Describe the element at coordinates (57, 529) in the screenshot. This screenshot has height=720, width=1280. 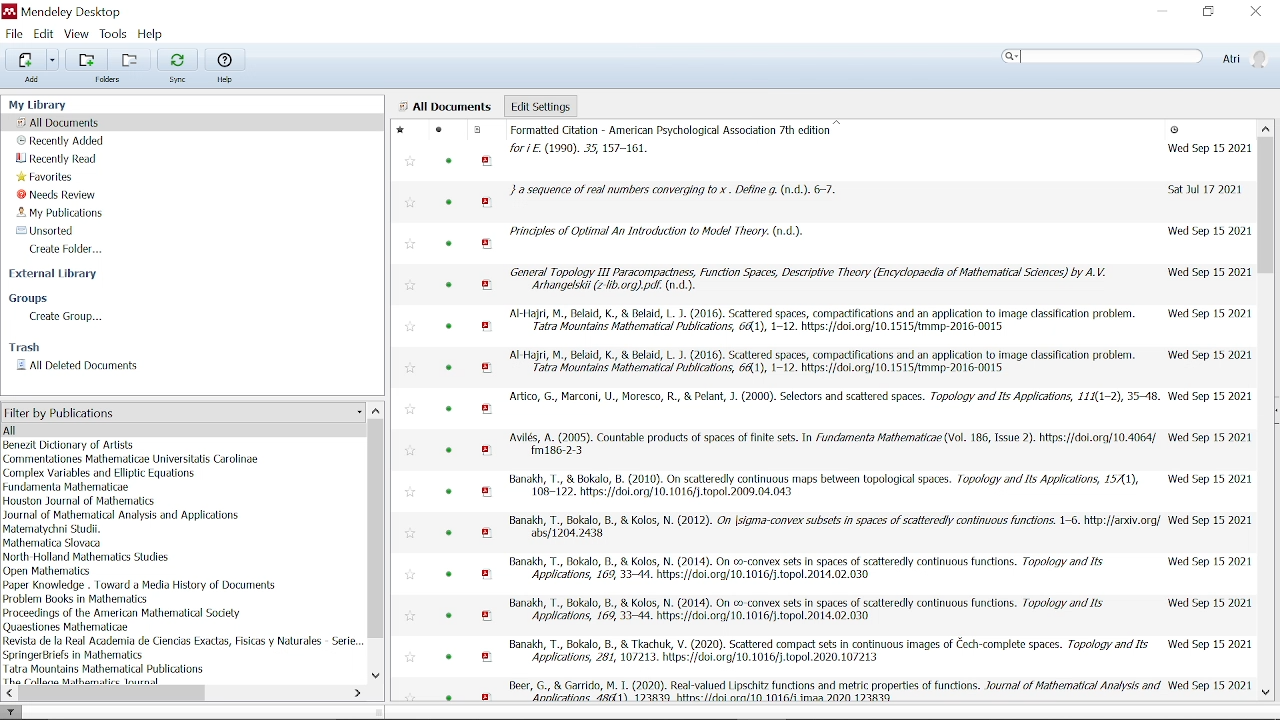
I see `author` at that location.